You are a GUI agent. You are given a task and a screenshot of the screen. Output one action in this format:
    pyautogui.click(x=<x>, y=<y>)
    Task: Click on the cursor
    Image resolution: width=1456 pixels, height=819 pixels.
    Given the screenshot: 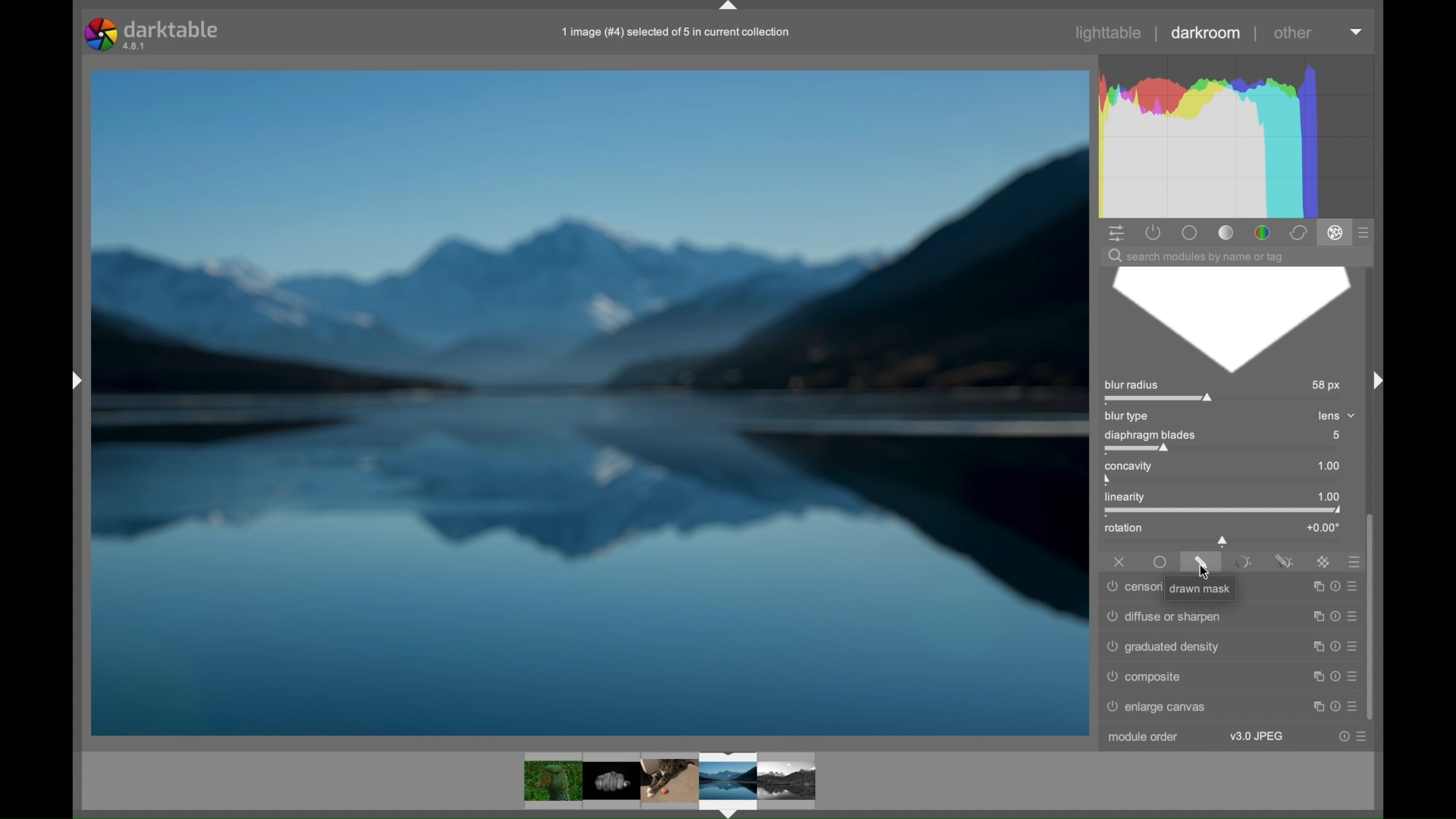 What is the action you would take?
    pyautogui.click(x=1206, y=572)
    